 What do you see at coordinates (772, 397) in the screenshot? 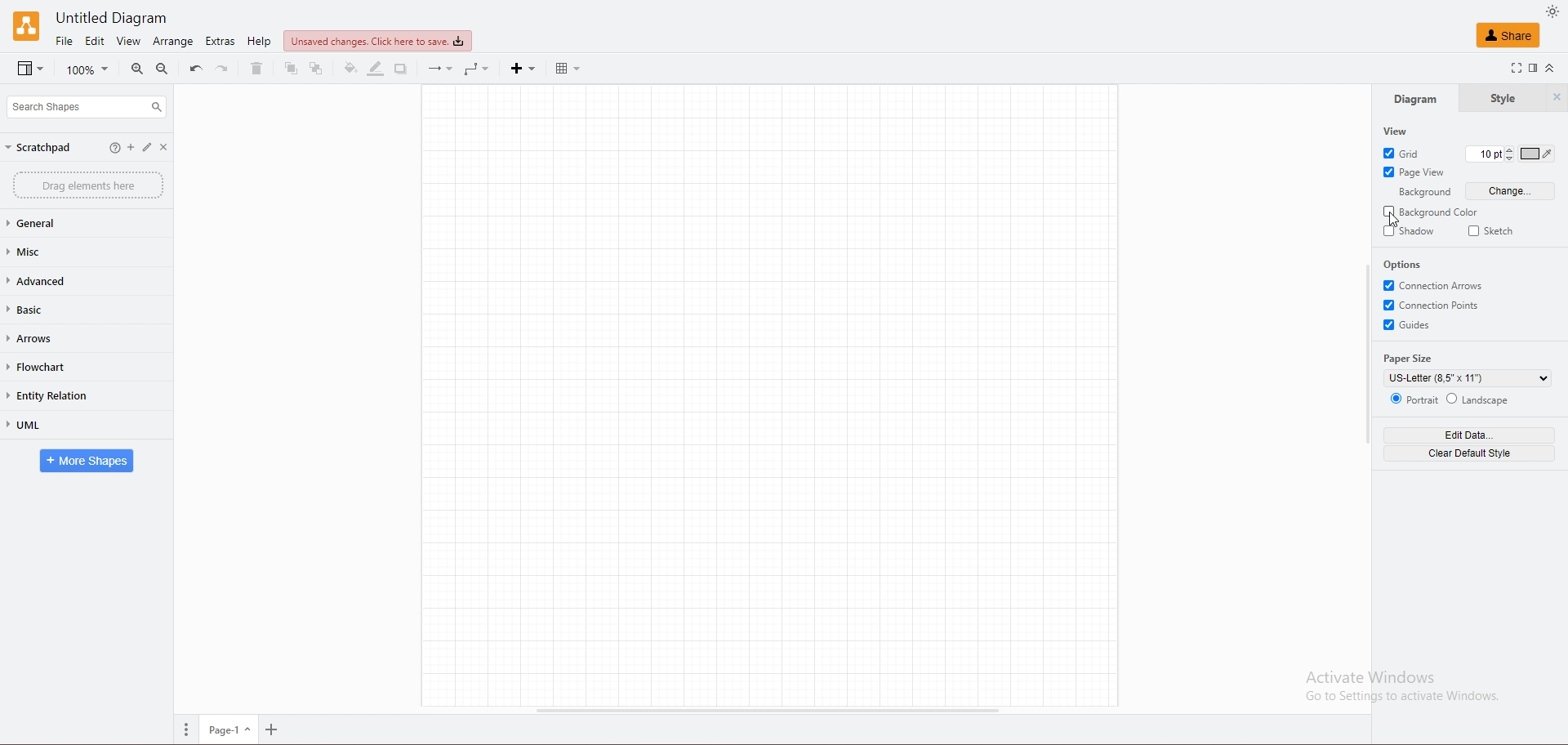
I see `draw area` at bounding box center [772, 397].